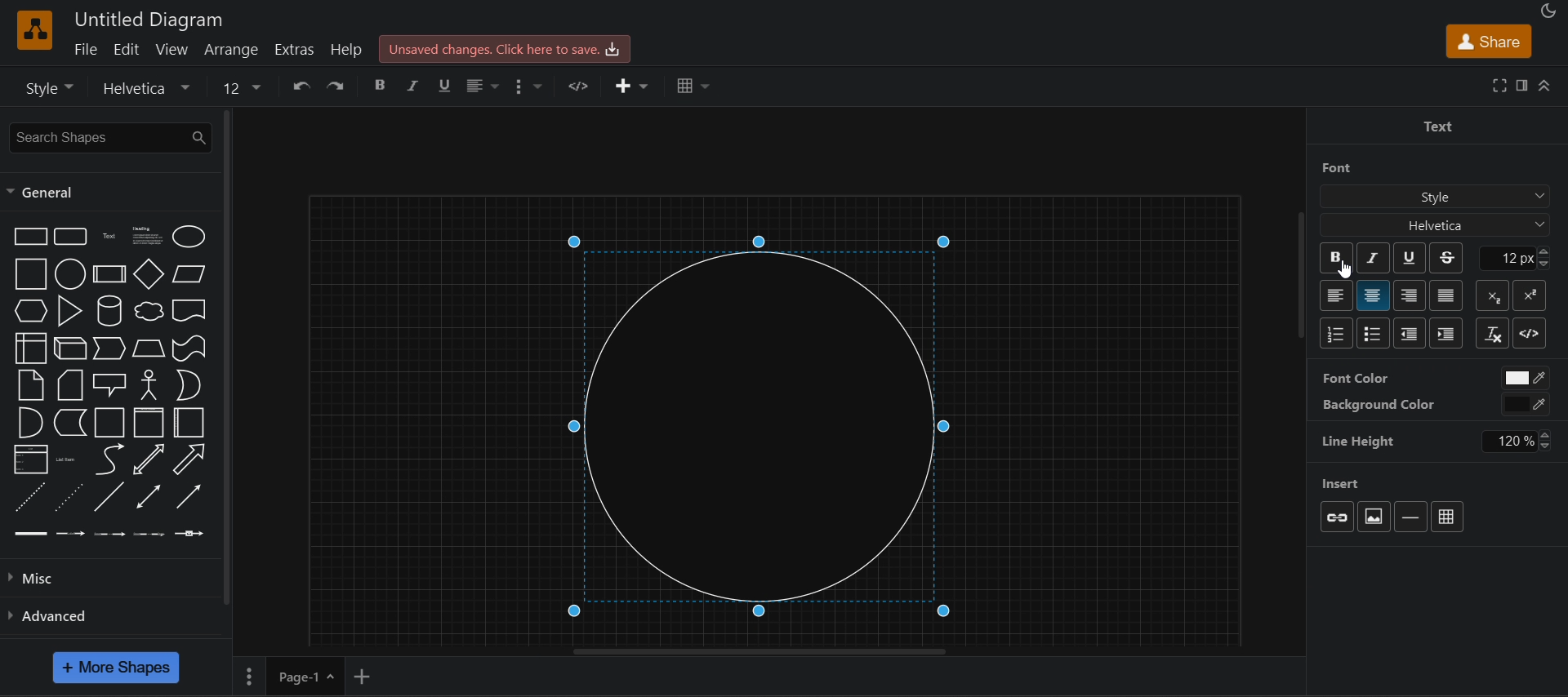 The height and width of the screenshot is (697, 1568). I want to click on dotted line, so click(72, 499).